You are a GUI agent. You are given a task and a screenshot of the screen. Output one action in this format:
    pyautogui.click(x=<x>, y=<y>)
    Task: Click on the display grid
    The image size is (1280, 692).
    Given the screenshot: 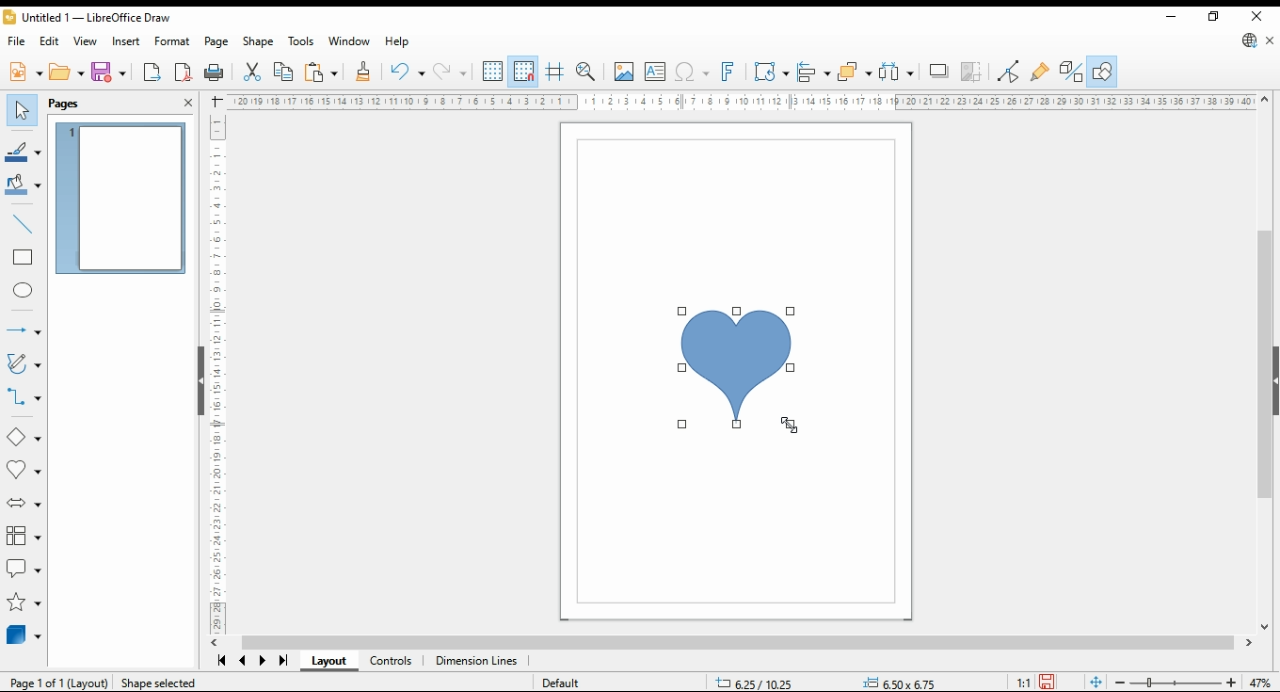 What is the action you would take?
    pyautogui.click(x=493, y=72)
    